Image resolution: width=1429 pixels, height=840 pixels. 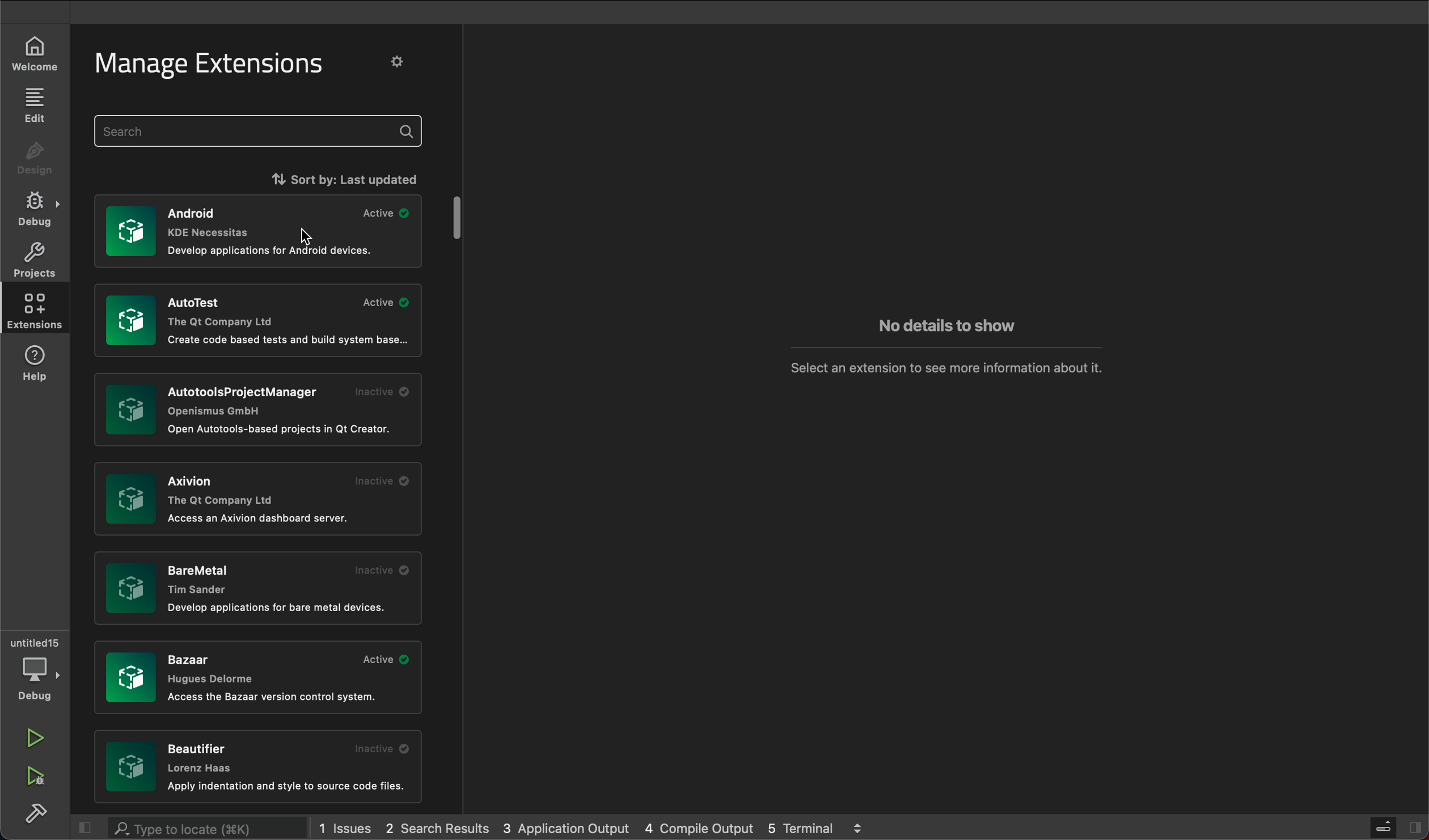 I want to click on edit, so click(x=33, y=106).